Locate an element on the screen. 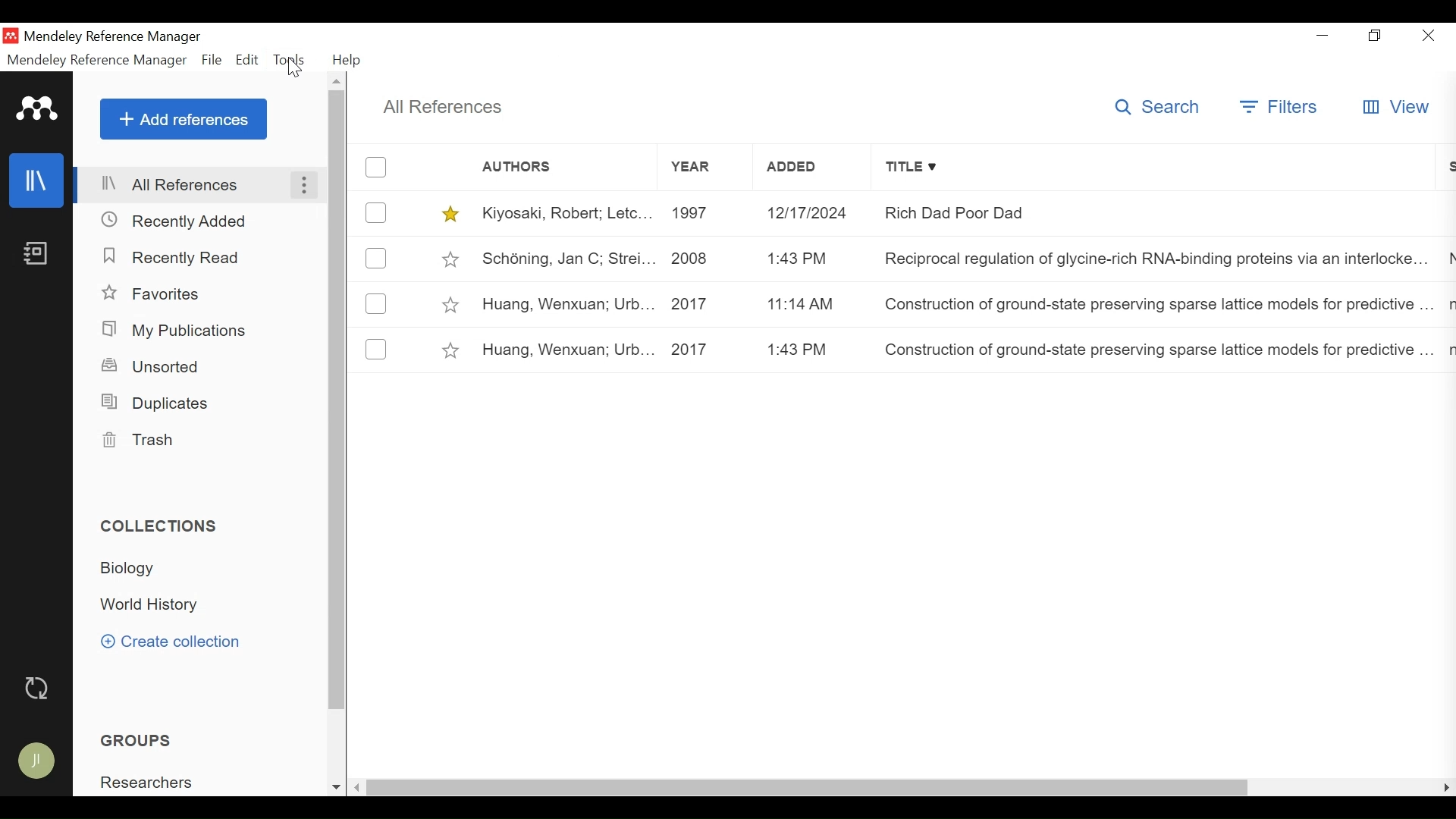 This screenshot has height=819, width=1456. Collections is located at coordinates (162, 528).